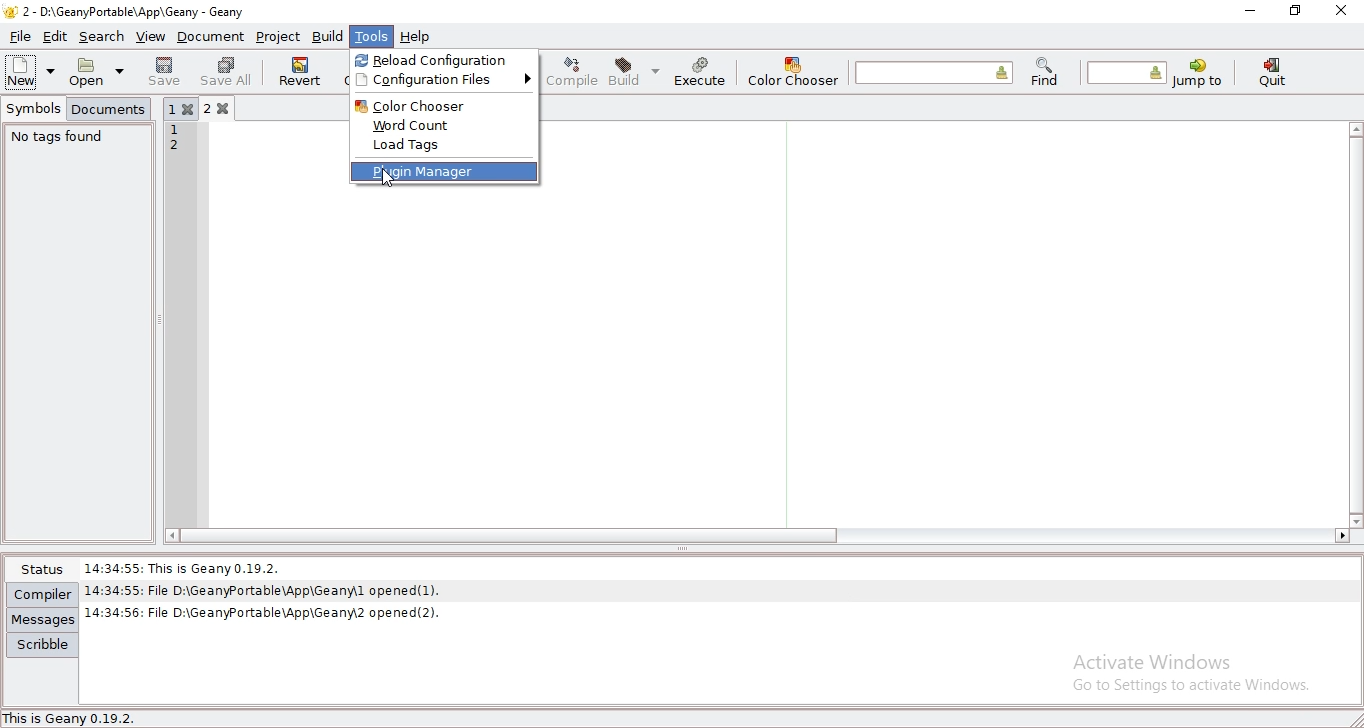 The height and width of the screenshot is (728, 1364). Describe the element at coordinates (39, 569) in the screenshot. I see `status` at that location.